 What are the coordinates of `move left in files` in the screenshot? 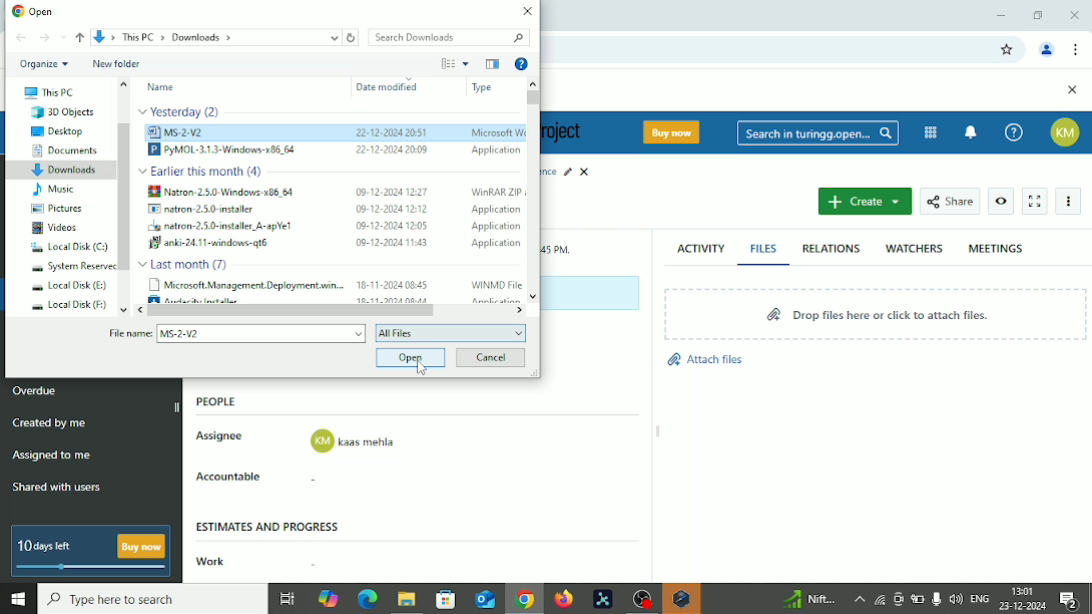 It's located at (139, 310).